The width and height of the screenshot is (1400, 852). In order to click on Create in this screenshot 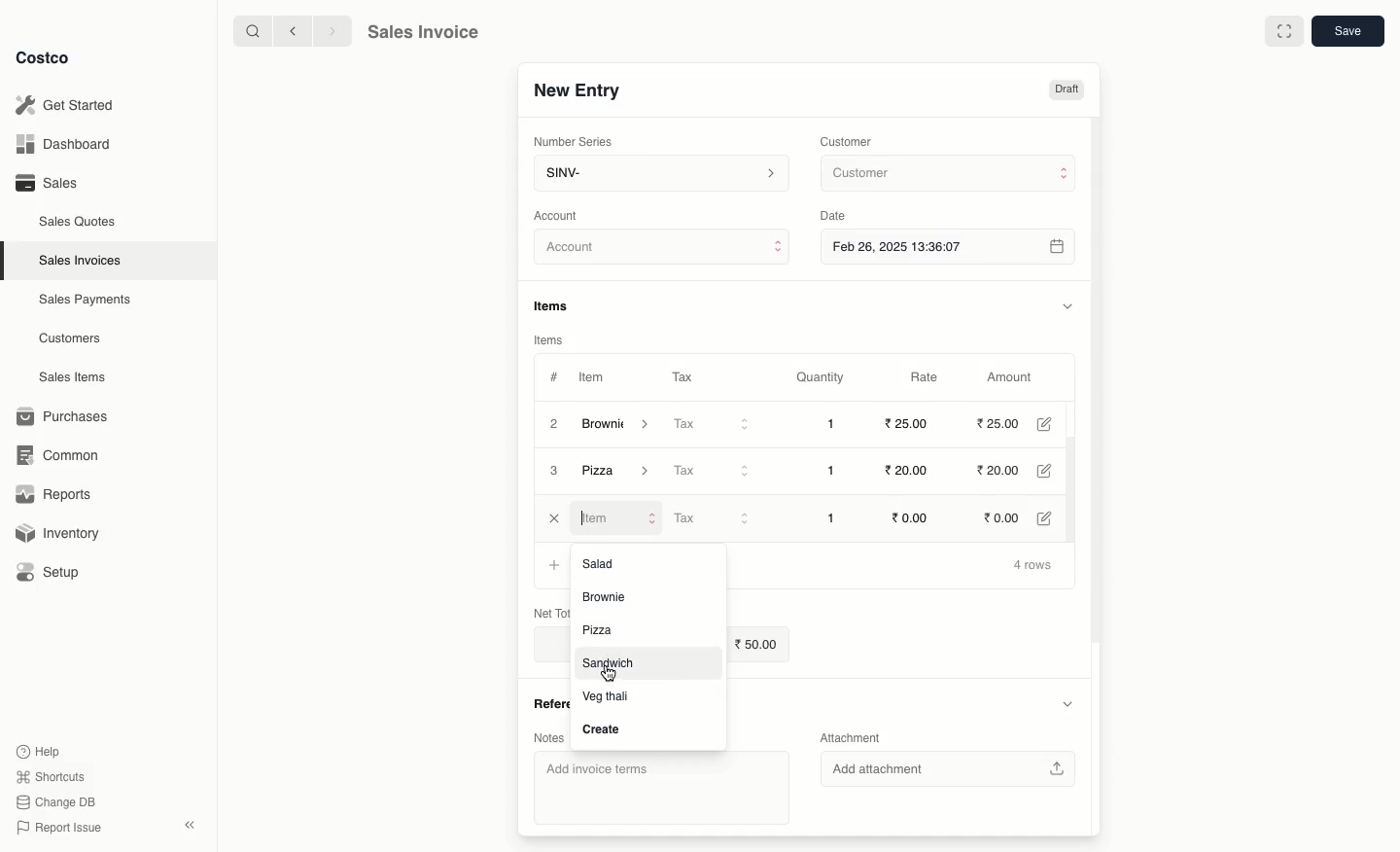, I will do `click(602, 728)`.